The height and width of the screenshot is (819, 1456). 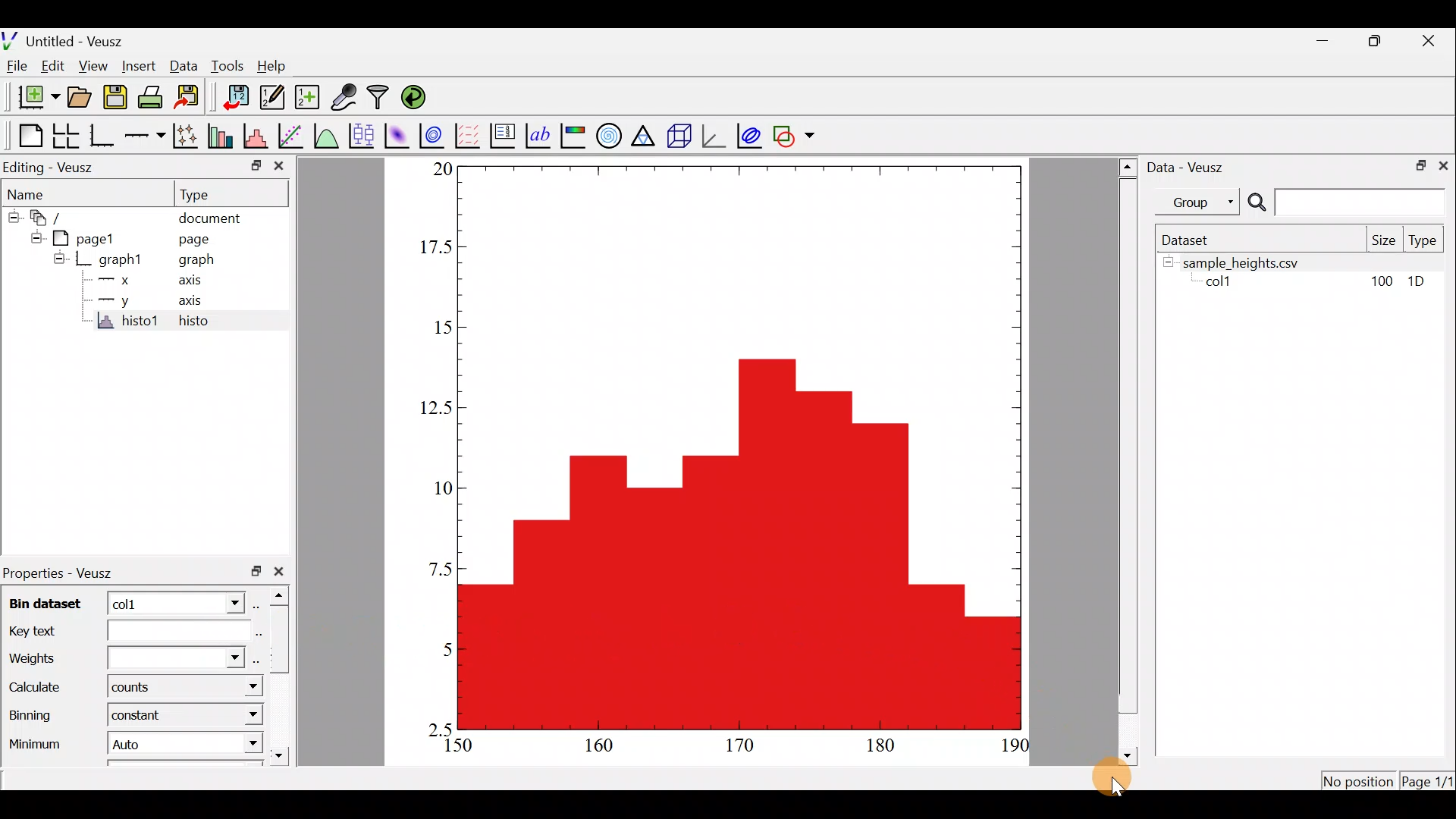 What do you see at coordinates (227, 66) in the screenshot?
I see `Tools` at bounding box center [227, 66].